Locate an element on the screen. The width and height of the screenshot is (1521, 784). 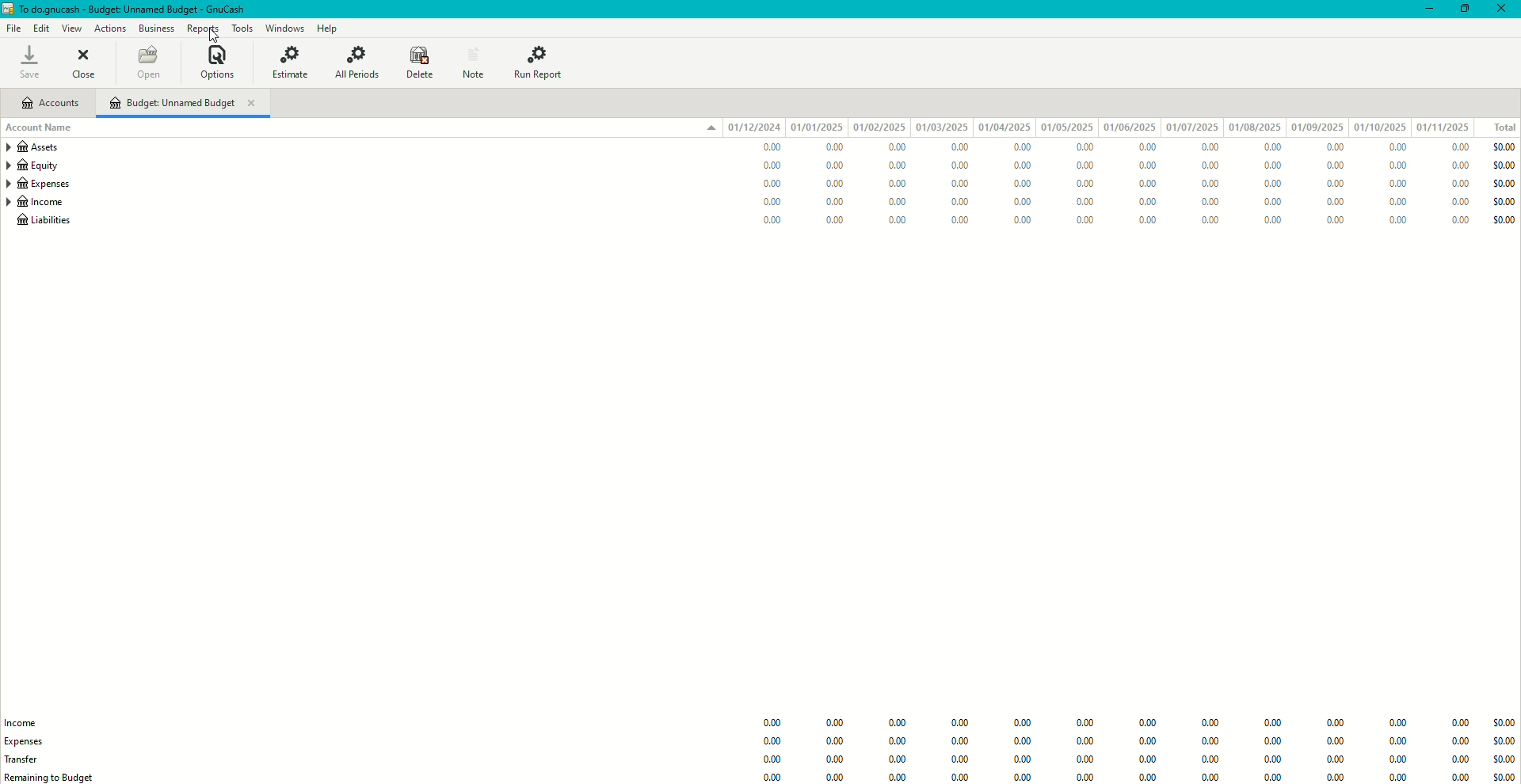
0.00 is located at coordinates (897, 740).